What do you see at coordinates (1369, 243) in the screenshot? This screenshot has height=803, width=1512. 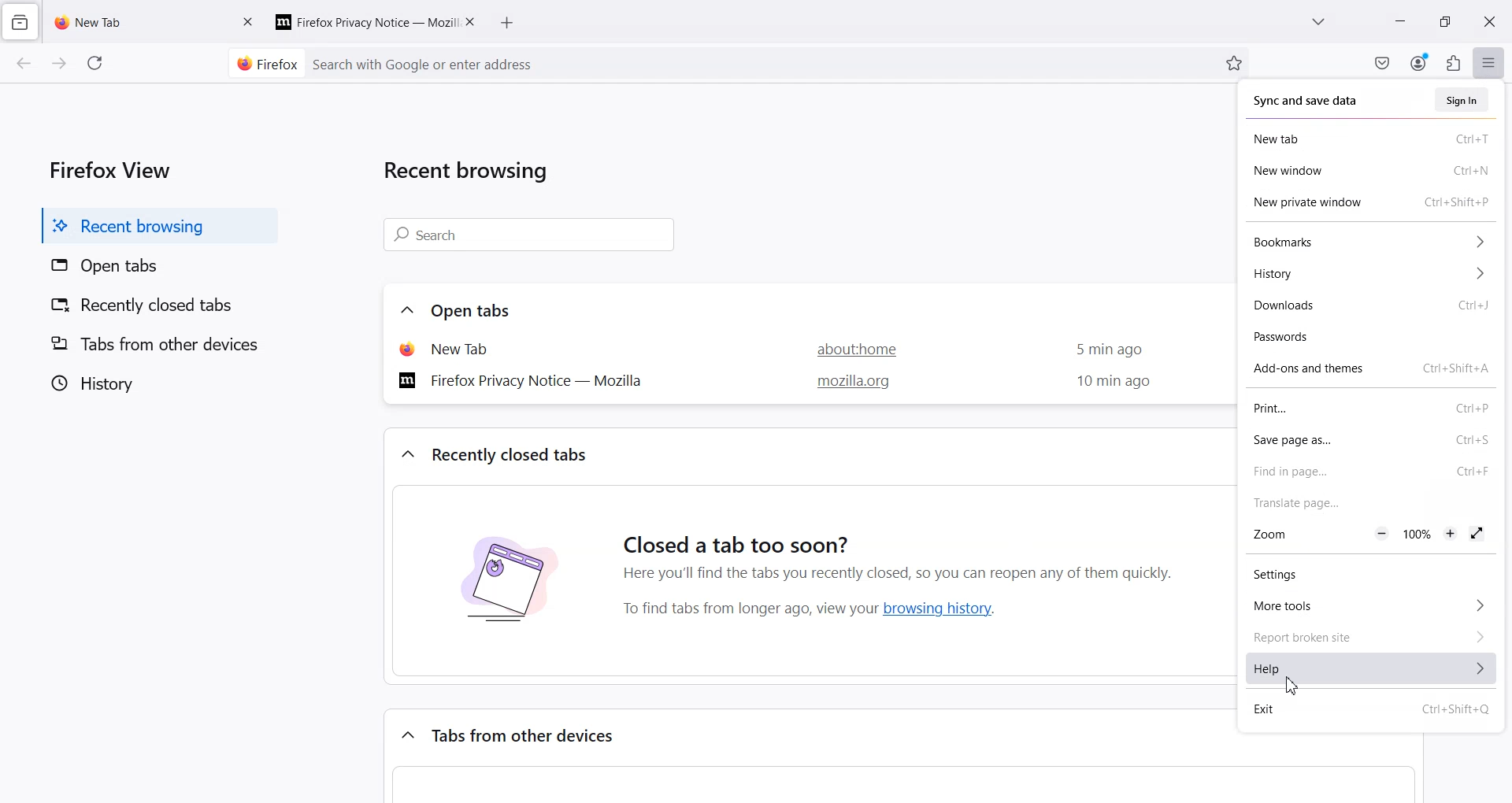 I see `Bookmarks` at bounding box center [1369, 243].